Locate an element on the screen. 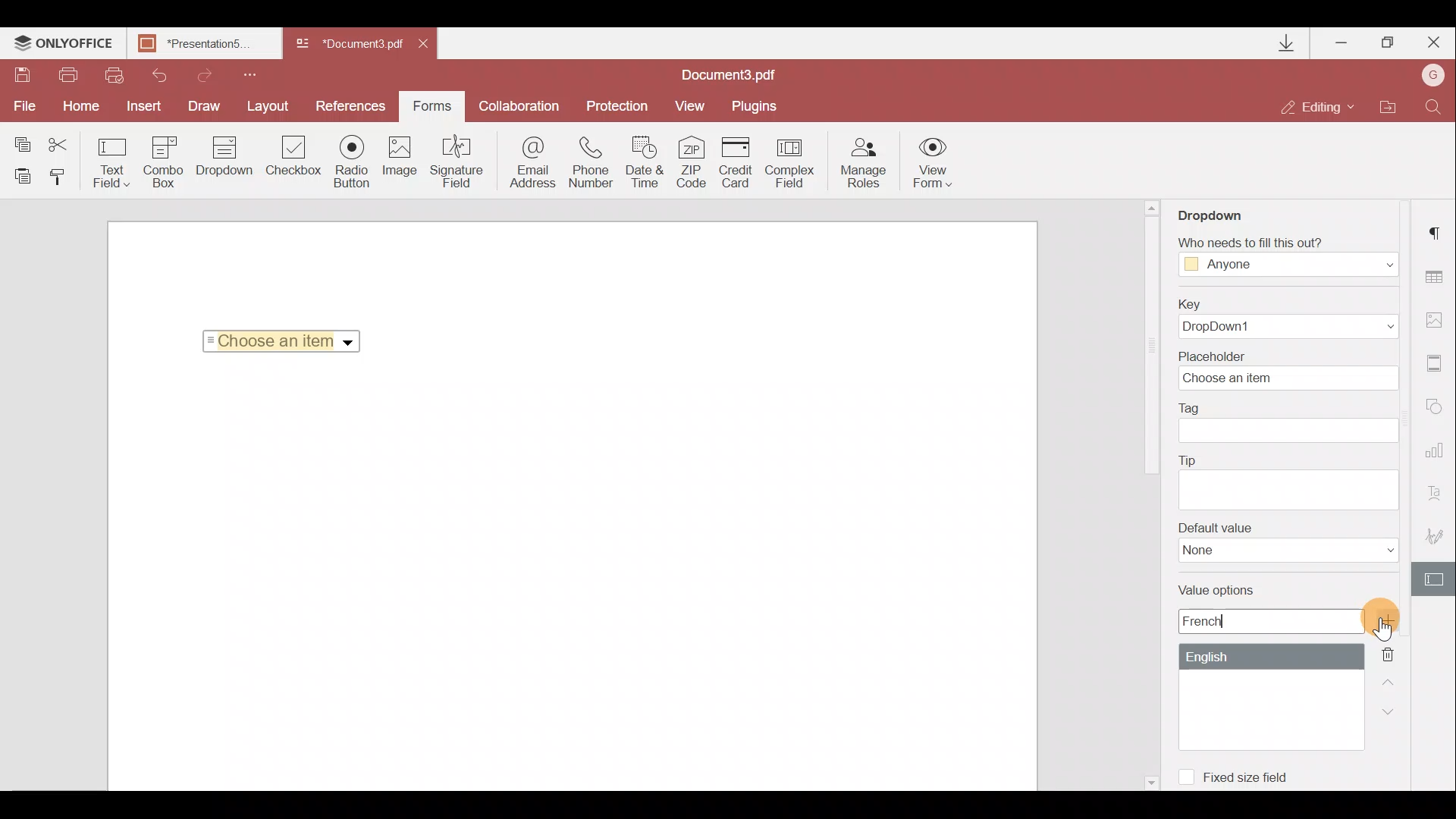  Text Art settings is located at coordinates (1439, 497).